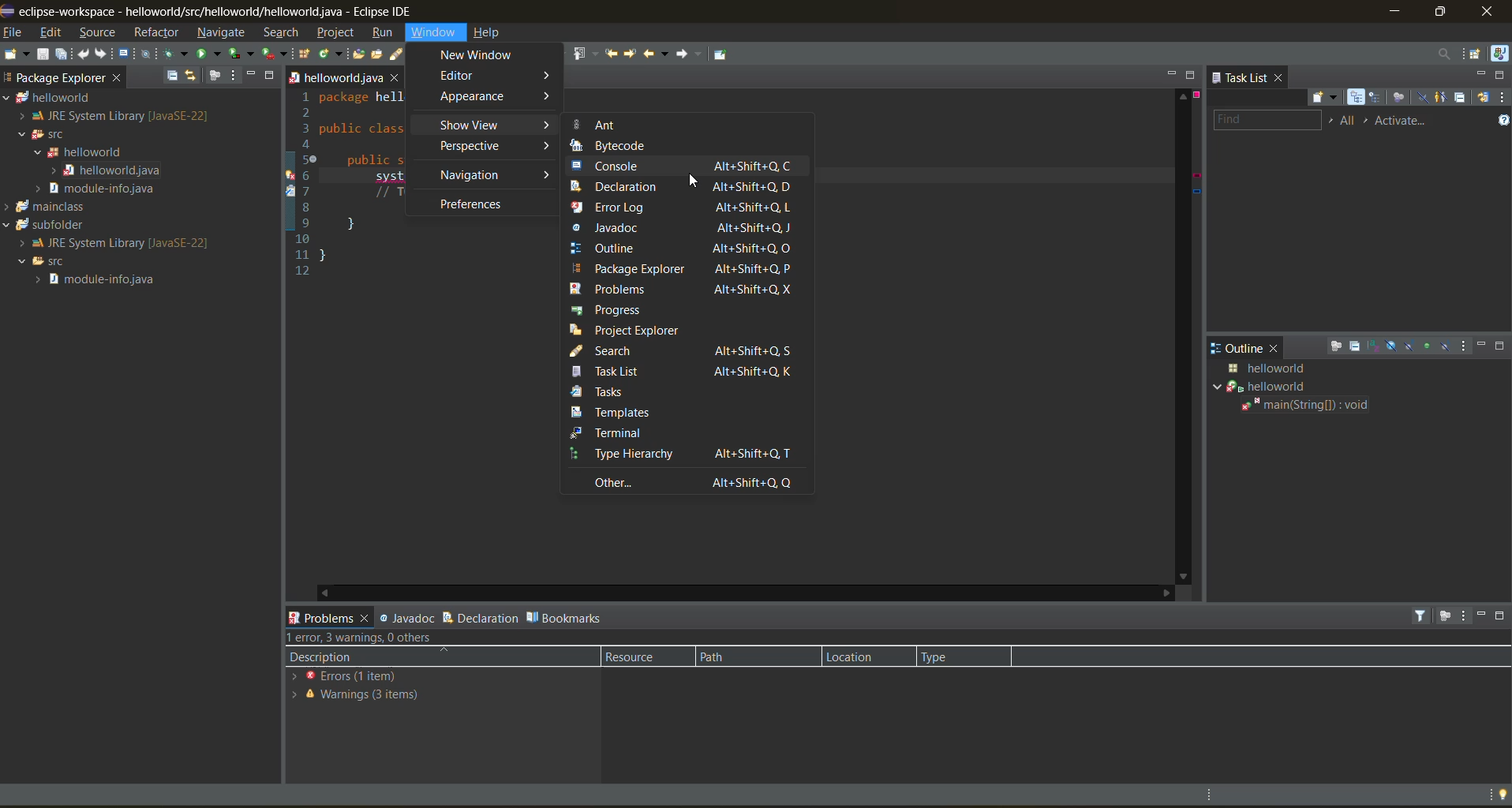 The height and width of the screenshot is (808, 1512). Describe the element at coordinates (582, 616) in the screenshot. I see `bookmarks` at that location.